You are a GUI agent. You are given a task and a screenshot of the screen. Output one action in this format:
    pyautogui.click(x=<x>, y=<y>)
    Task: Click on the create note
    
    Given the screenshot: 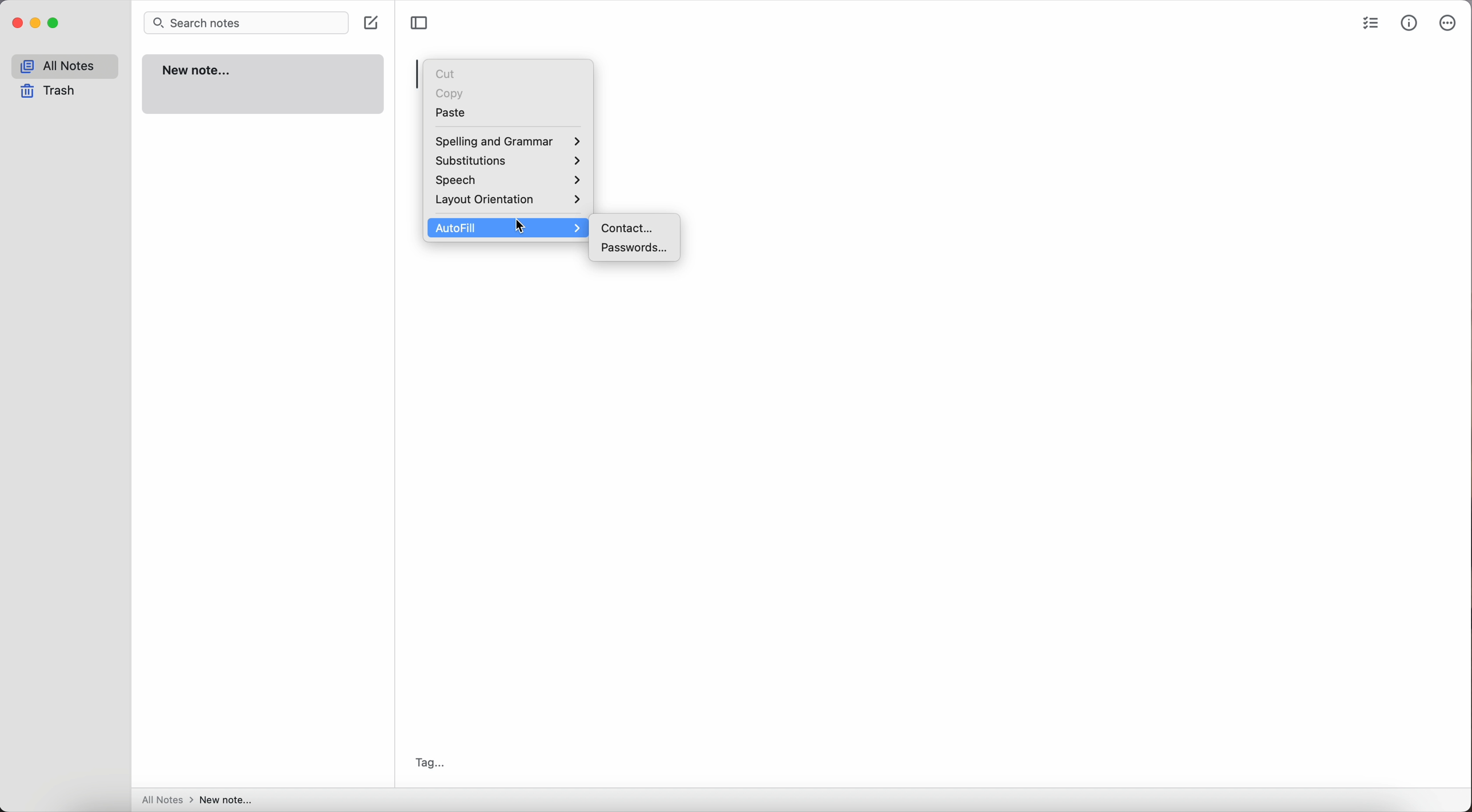 What is the action you would take?
    pyautogui.click(x=374, y=23)
    